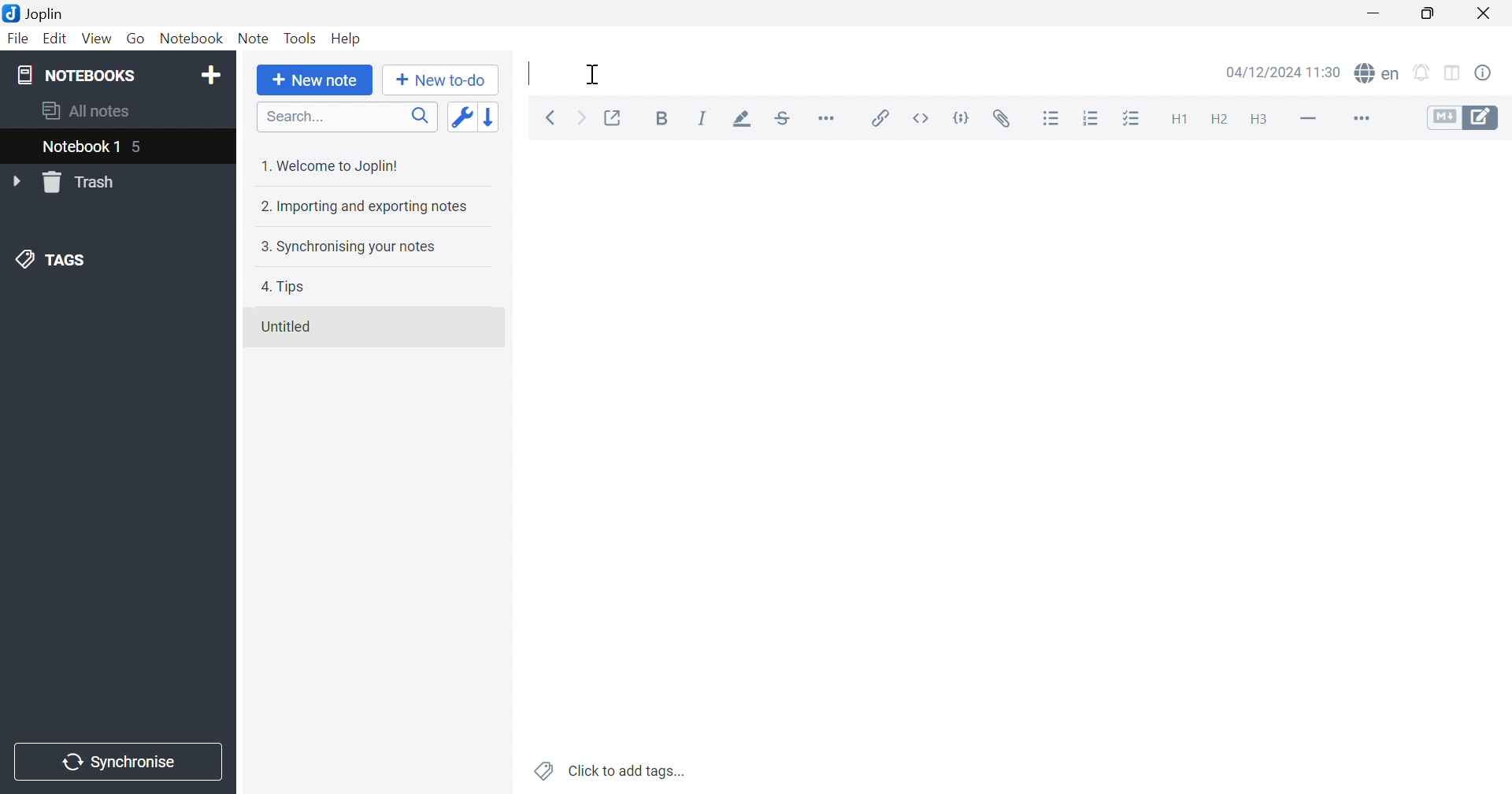 The image size is (1512, 794). I want to click on Go, so click(138, 39).